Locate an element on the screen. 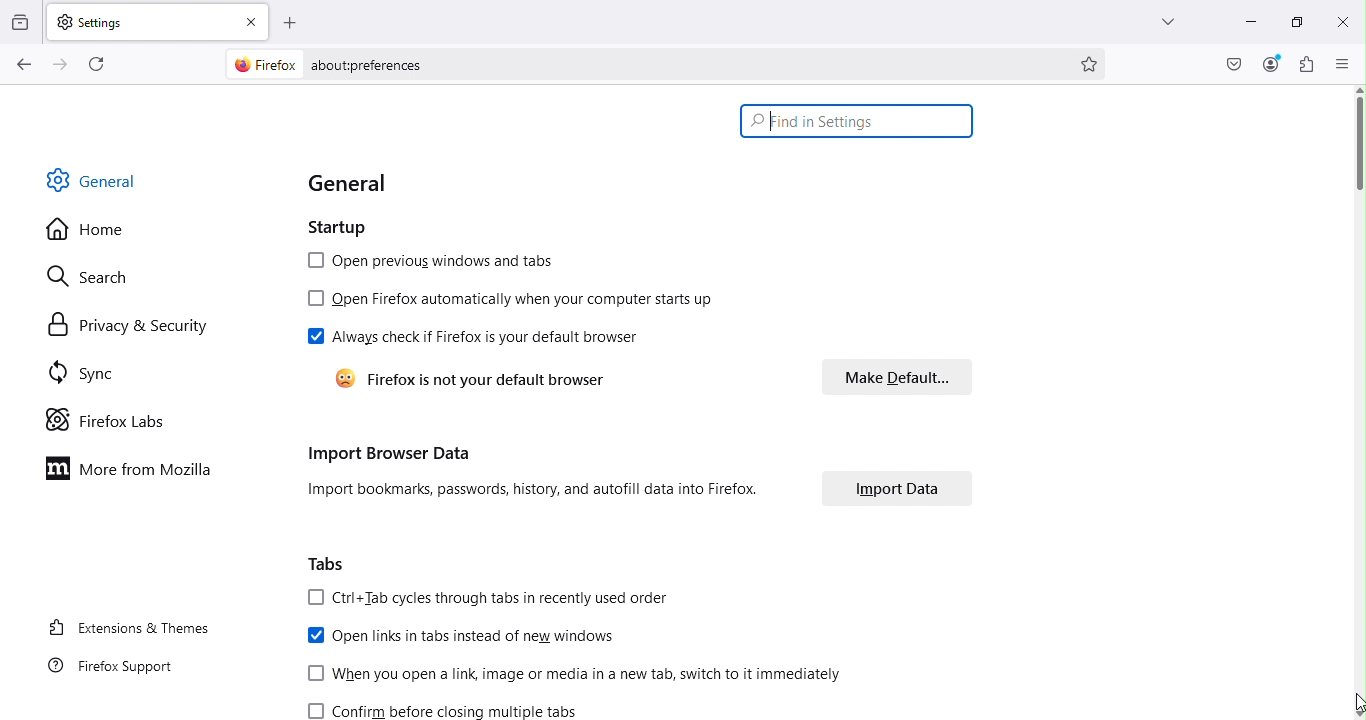 The width and height of the screenshot is (1366, 720). Search is located at coordinates (113, 276).